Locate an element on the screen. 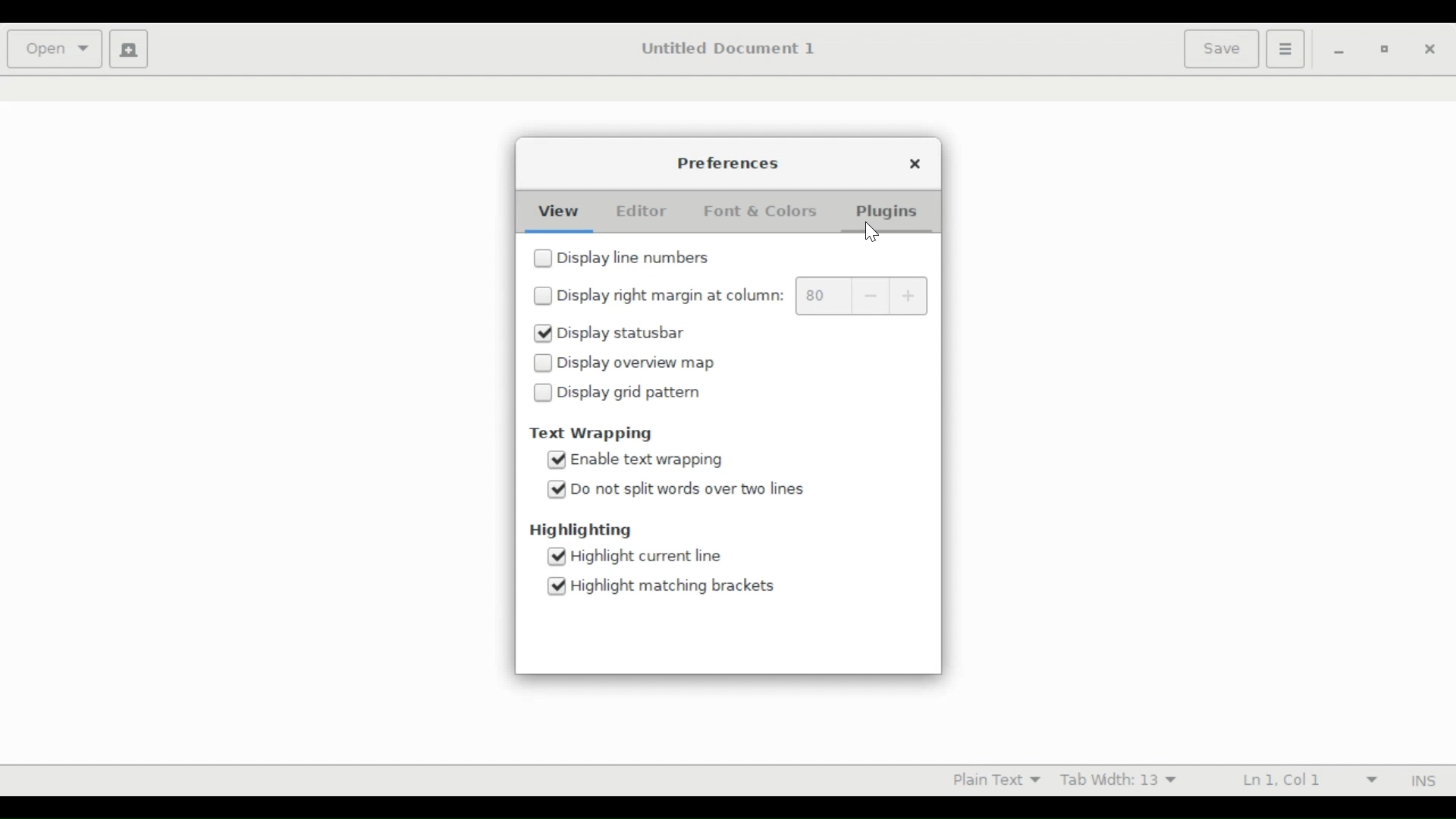  Preferences is located at coordinates (730, 165).